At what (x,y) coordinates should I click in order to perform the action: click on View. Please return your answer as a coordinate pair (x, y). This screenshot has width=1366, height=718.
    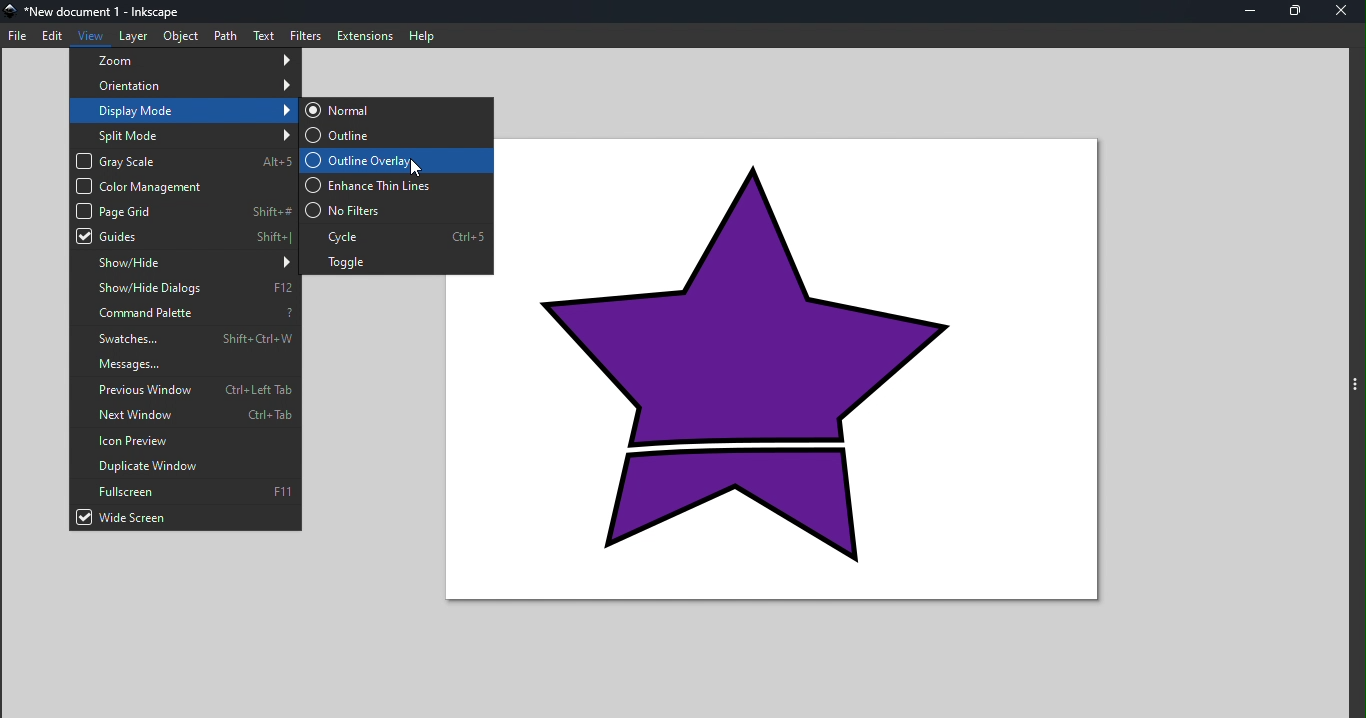
    Looking at the image, I should click on (93, 34).